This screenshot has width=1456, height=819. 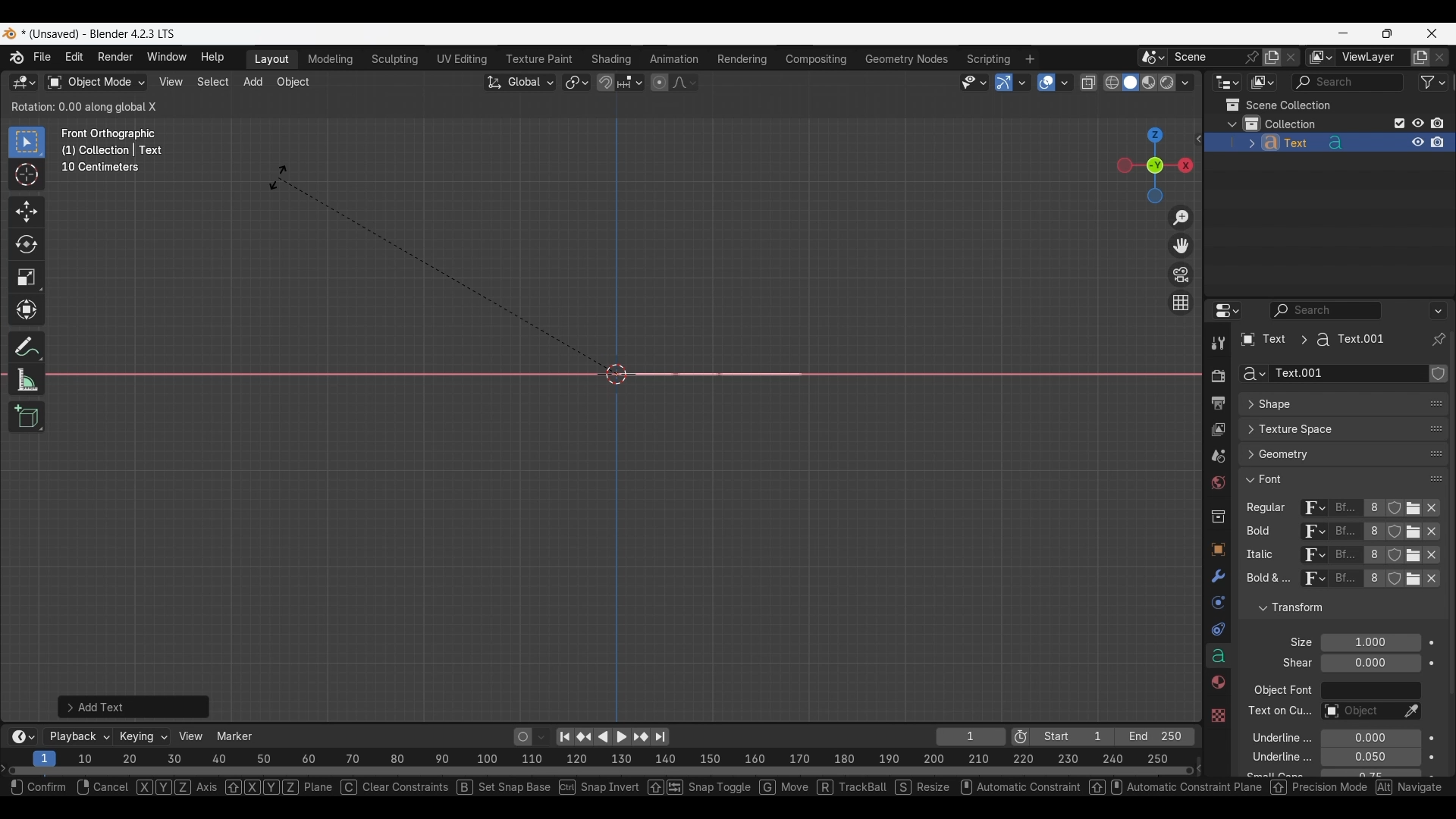 What do you see at coordinates (1432, 33) in the screenshot?
I see `Close interface` at bounding box center [1432, 33].